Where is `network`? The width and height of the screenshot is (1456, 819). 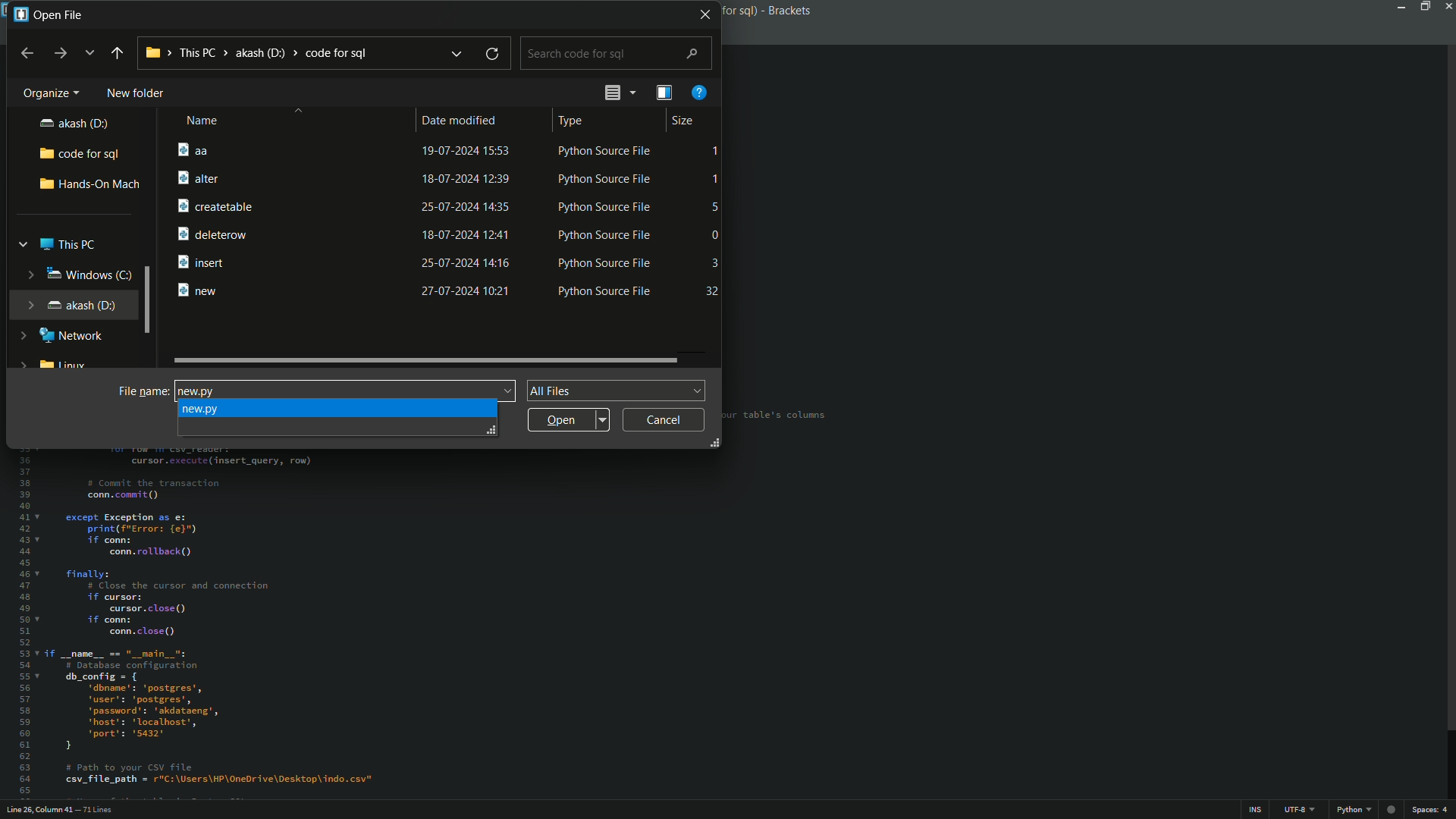 network is located at coordinates (62, 336).